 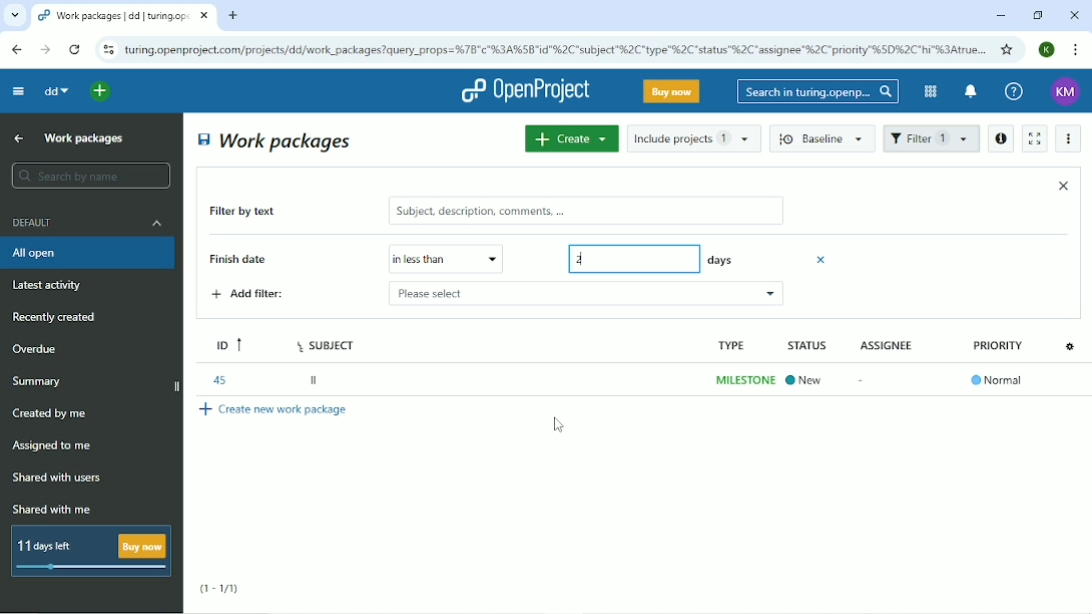 What do you see at coordinates (525, 91) in the screenshot?
I see `OpenProject` at bounding box center [525, 91].